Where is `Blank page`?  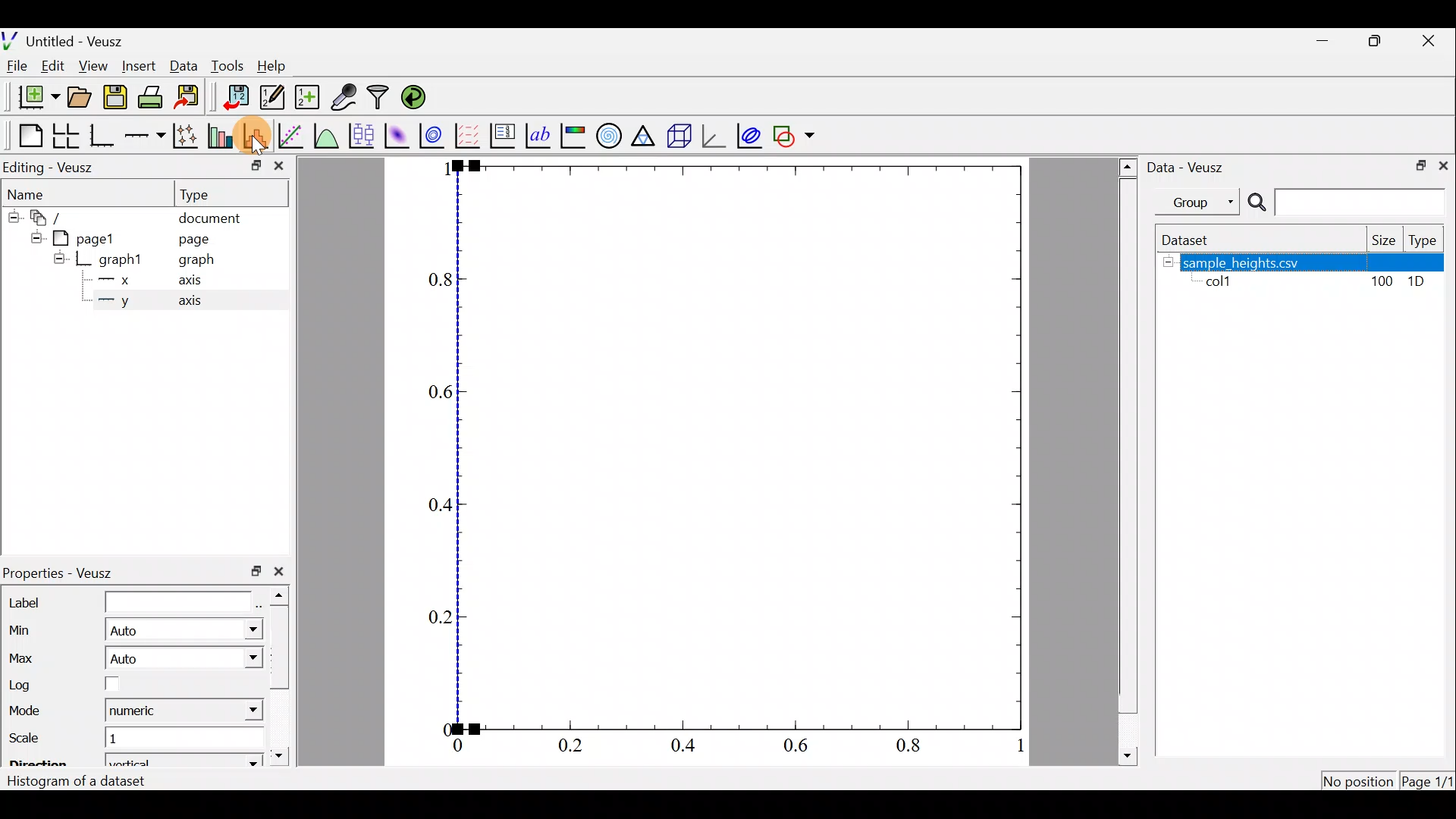
Blank page is located at coordinates (26, 134).